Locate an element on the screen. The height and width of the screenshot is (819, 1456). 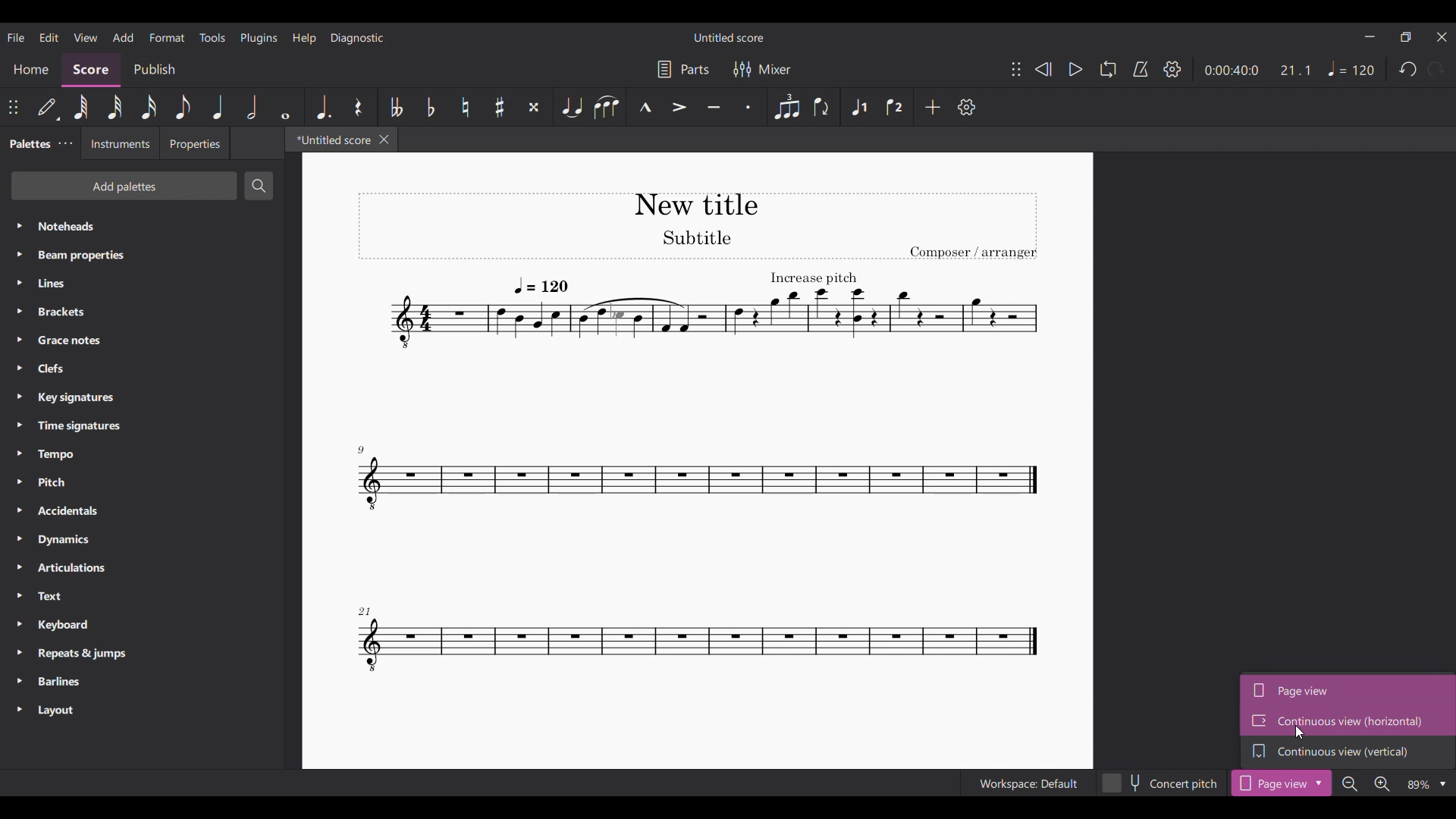
Settings is located at coordinates (1172, 69).